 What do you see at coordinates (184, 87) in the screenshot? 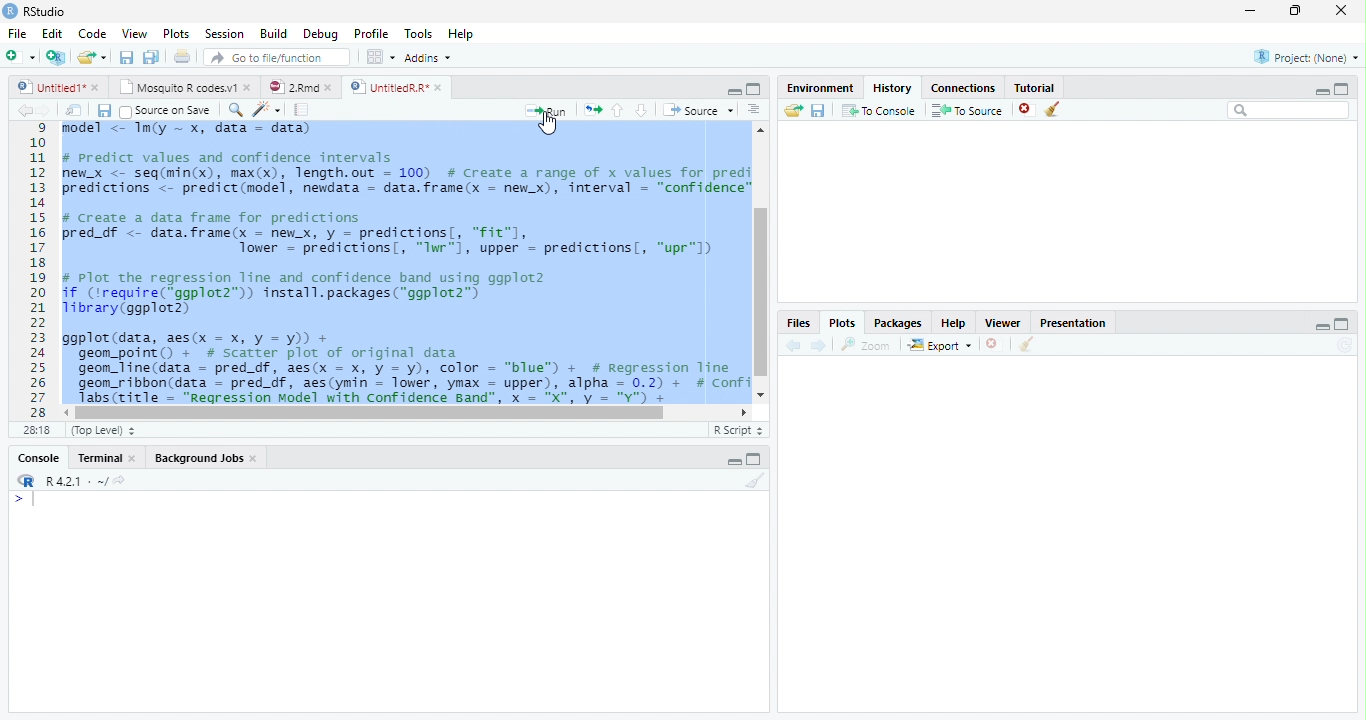
I see `Mosquito R codes` at bounding box center [184, 87].